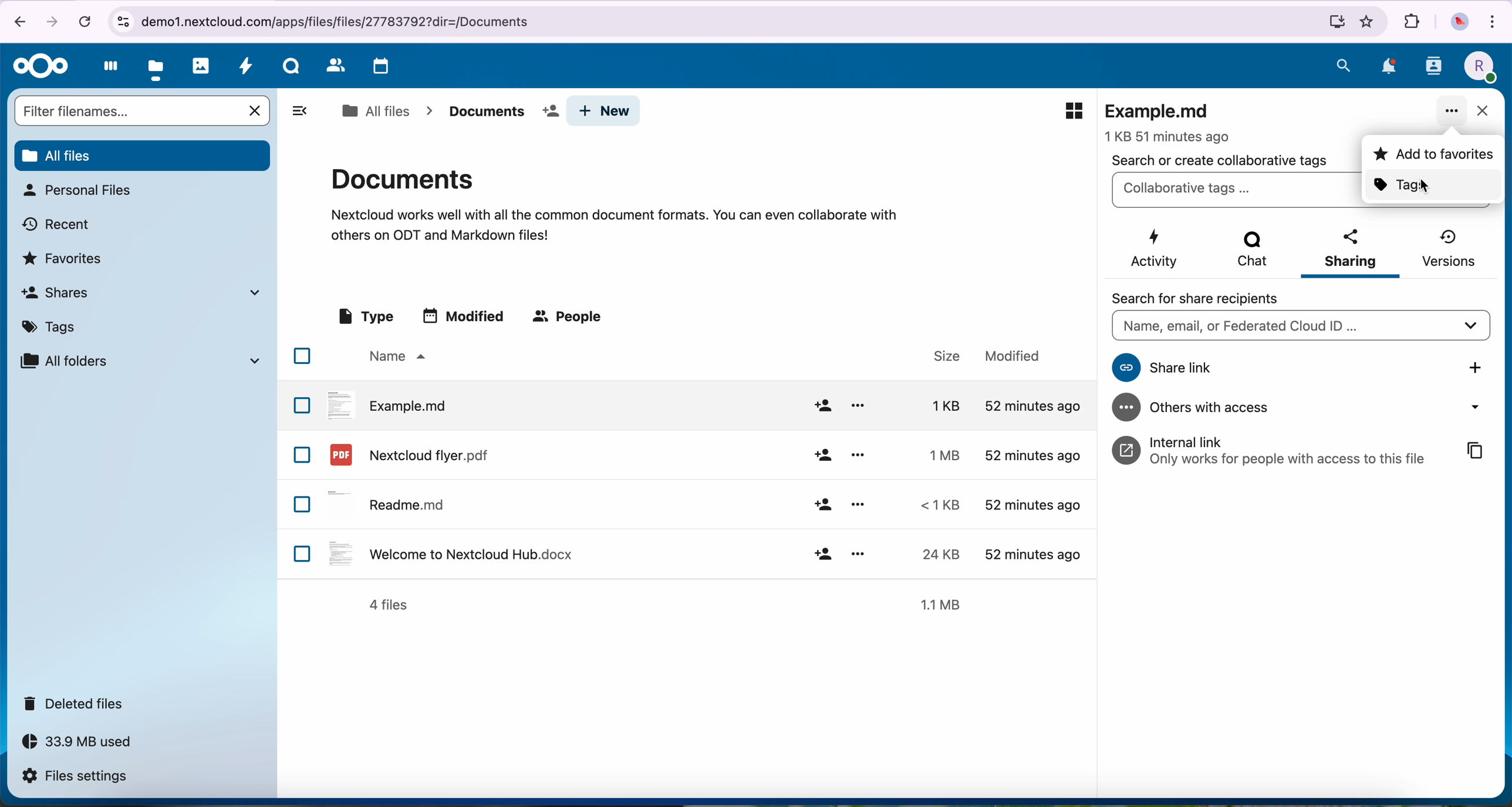 The width and height of the screenshot is (1512, 807). I want to click on files settings, so click(77, 777).